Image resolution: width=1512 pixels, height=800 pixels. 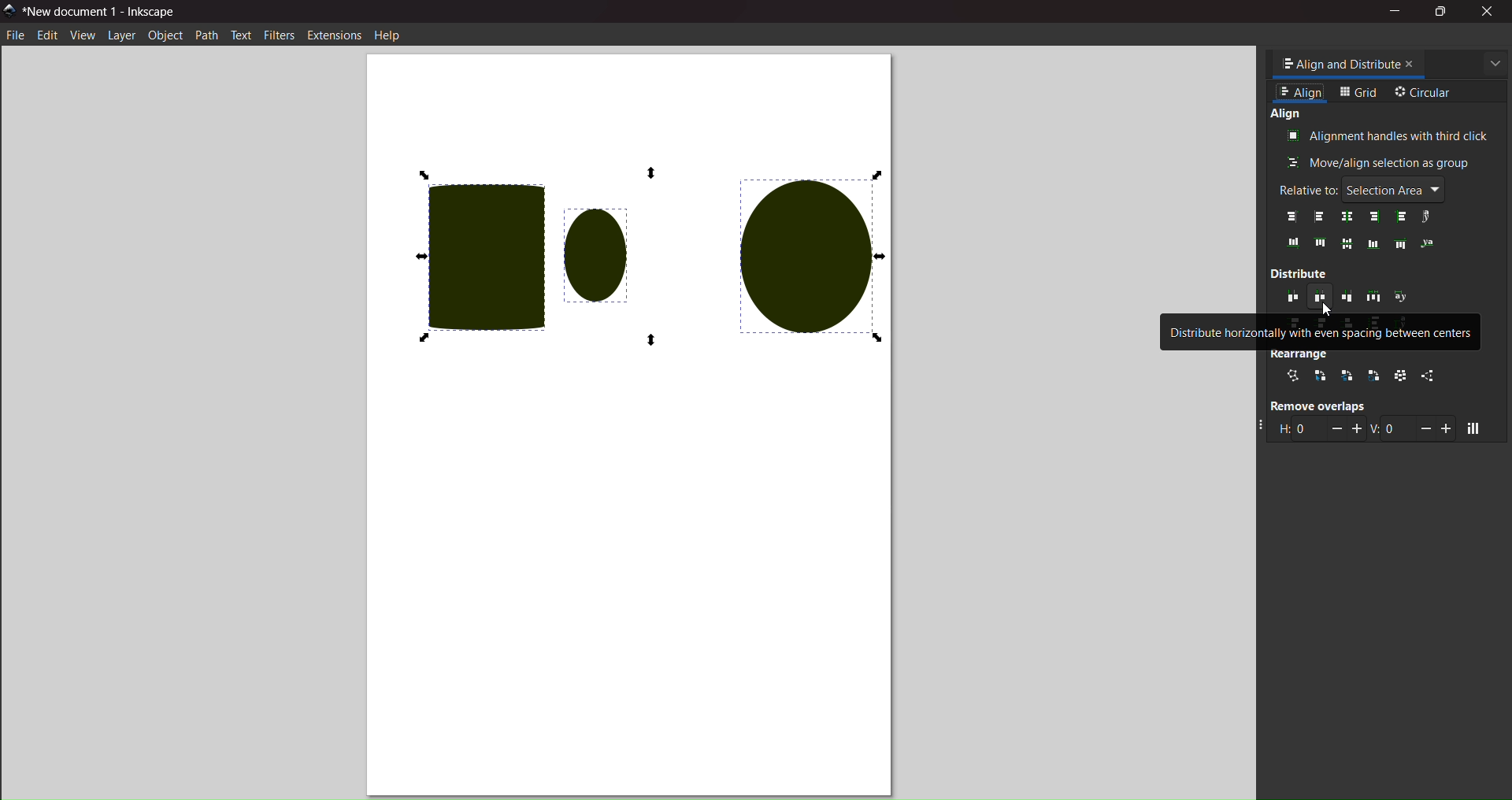 I want to click on filters, so click(x=280, y=34).